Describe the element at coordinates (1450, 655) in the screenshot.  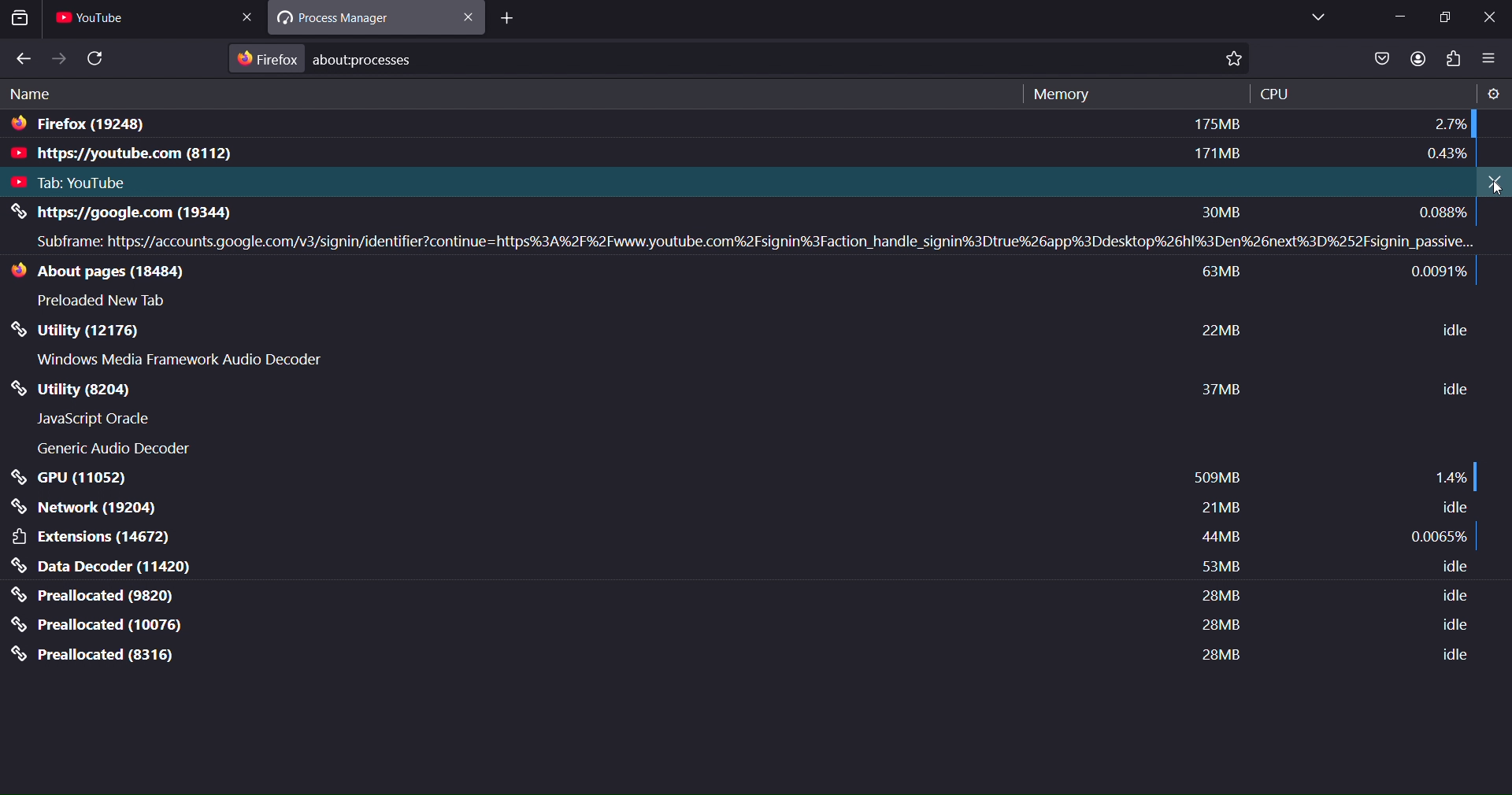
I see `idle` at that location.